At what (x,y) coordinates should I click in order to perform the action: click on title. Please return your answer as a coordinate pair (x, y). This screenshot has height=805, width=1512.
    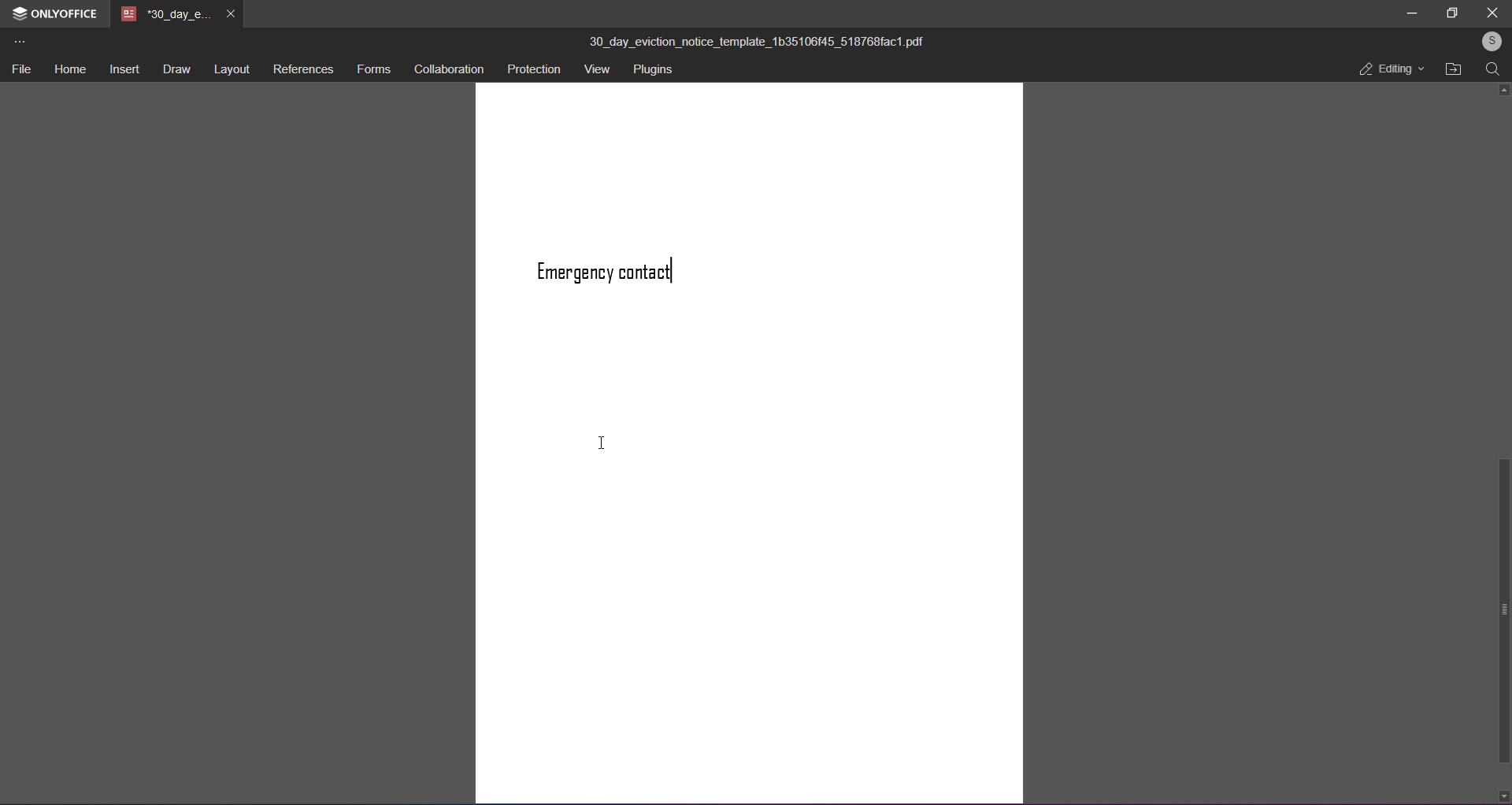
    Looking at the image, I should click on (757, 43).